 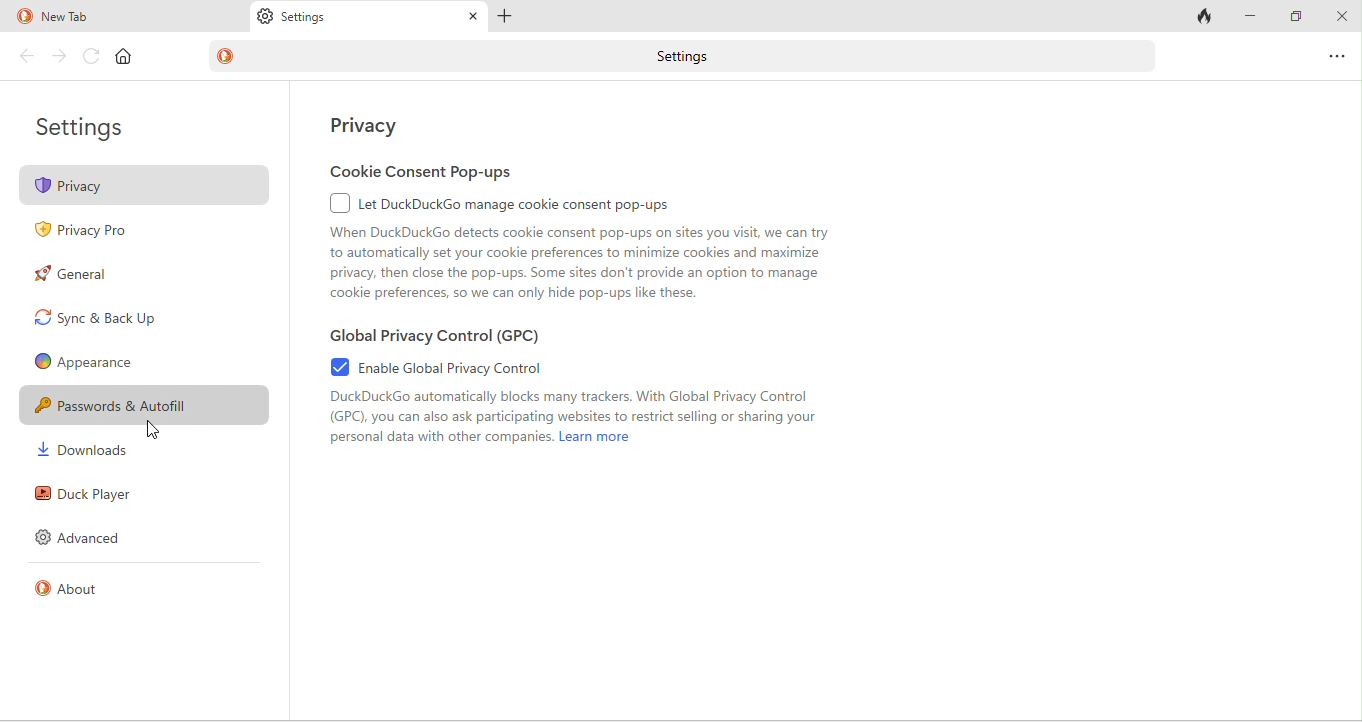 What do you see at coordinates (436, 336) in the screenshot?
I see `global privacy control (gpc)` at bounding box center [436, 336].